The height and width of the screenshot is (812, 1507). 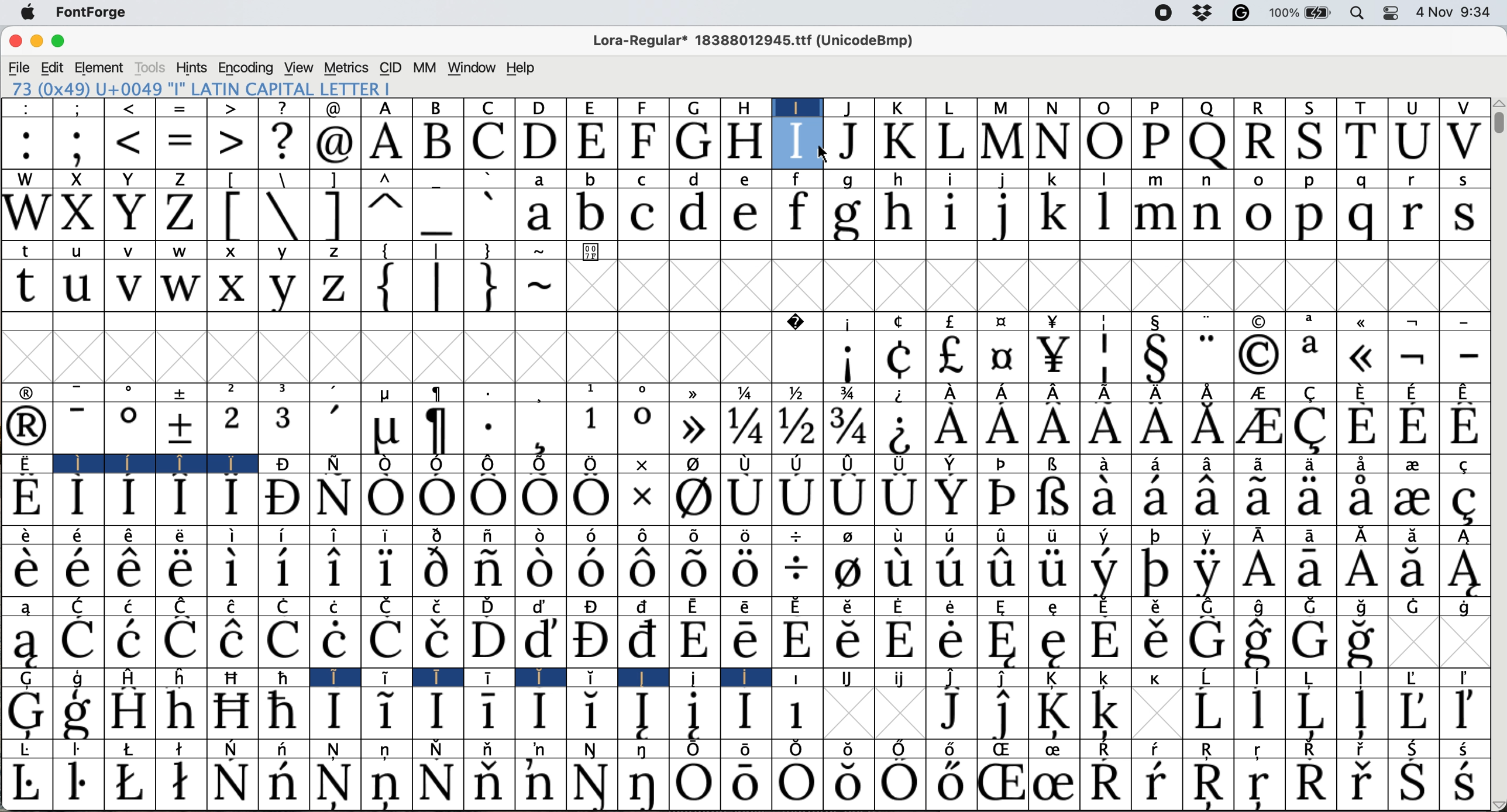 What do you see at coordinates (1312, 428) in the screenshot?
I see `Symbol` at bounding box center [1312, 428].